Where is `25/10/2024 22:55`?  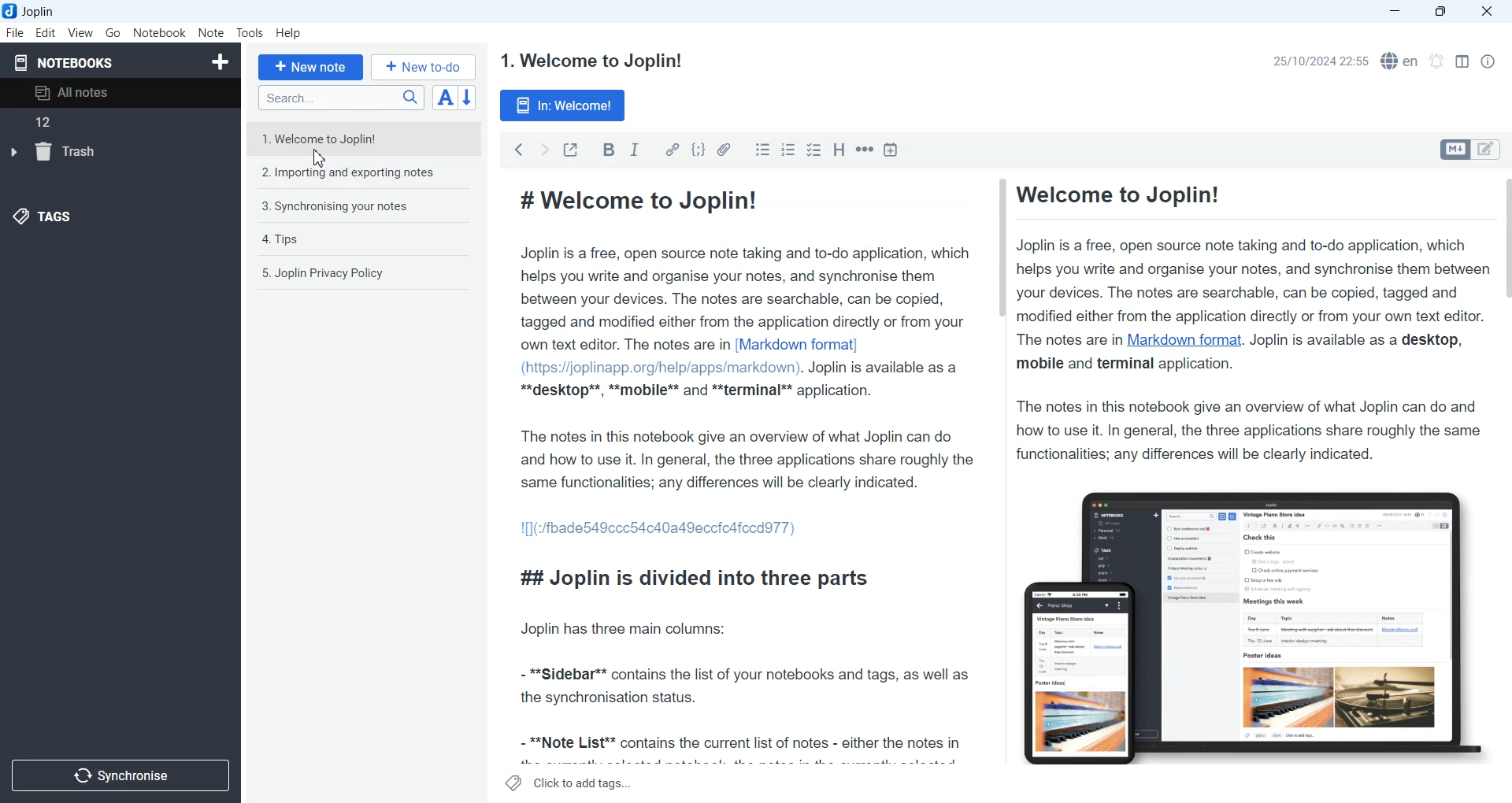 25/10/2024 22:55 is located at coordinates (1316, 61).